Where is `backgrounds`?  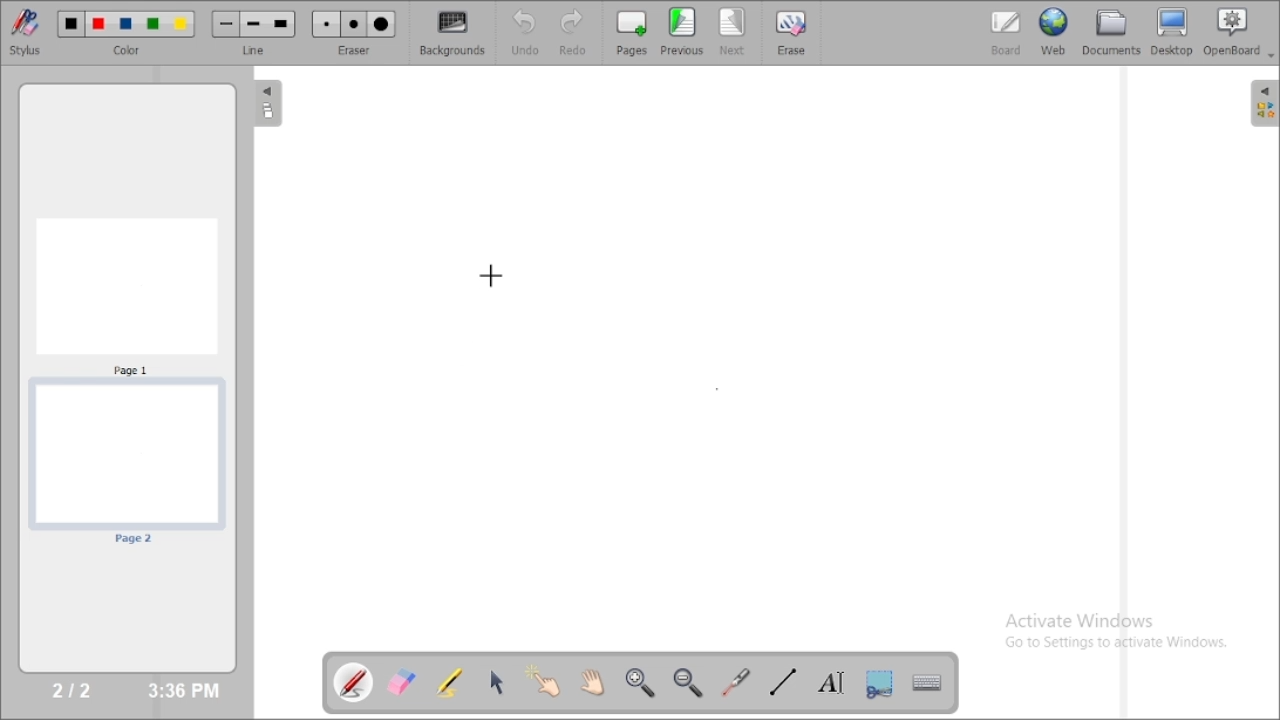 backgrounds is located at coordinates (454, 33).